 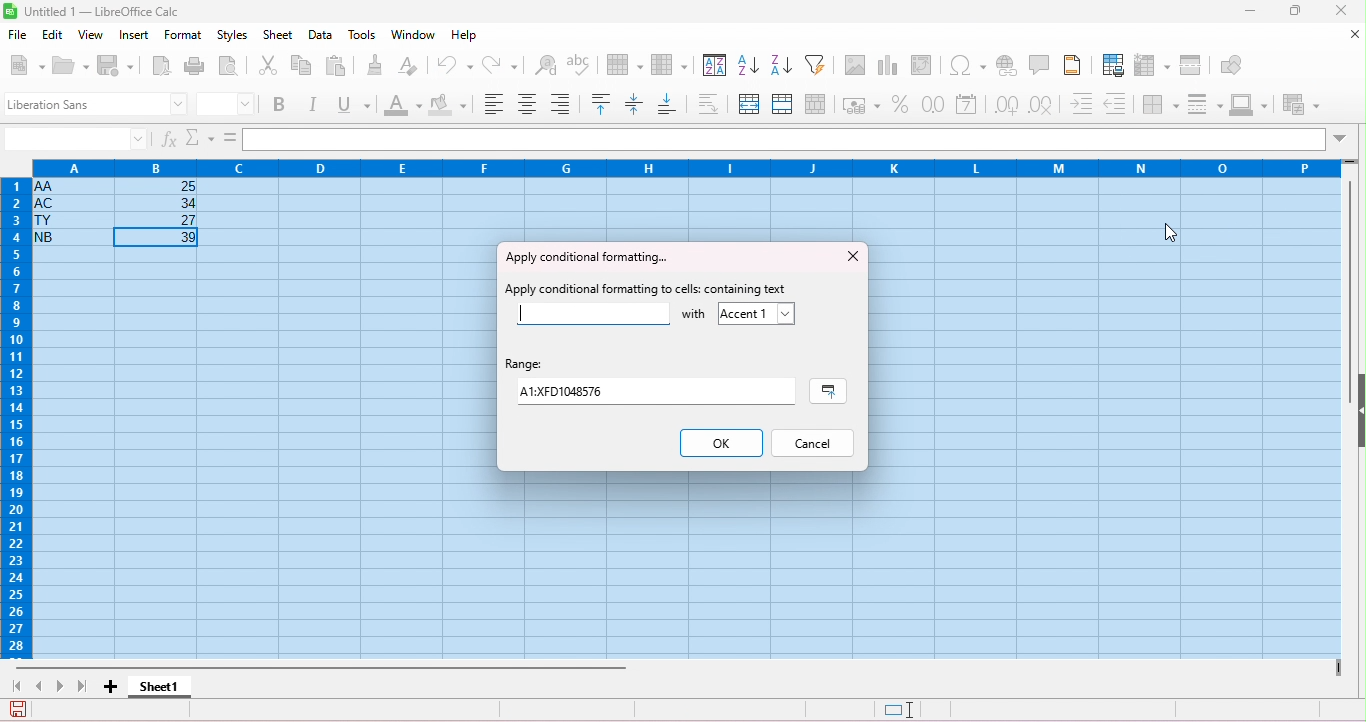 I want to click on spelling, so click(x=581, y=65).